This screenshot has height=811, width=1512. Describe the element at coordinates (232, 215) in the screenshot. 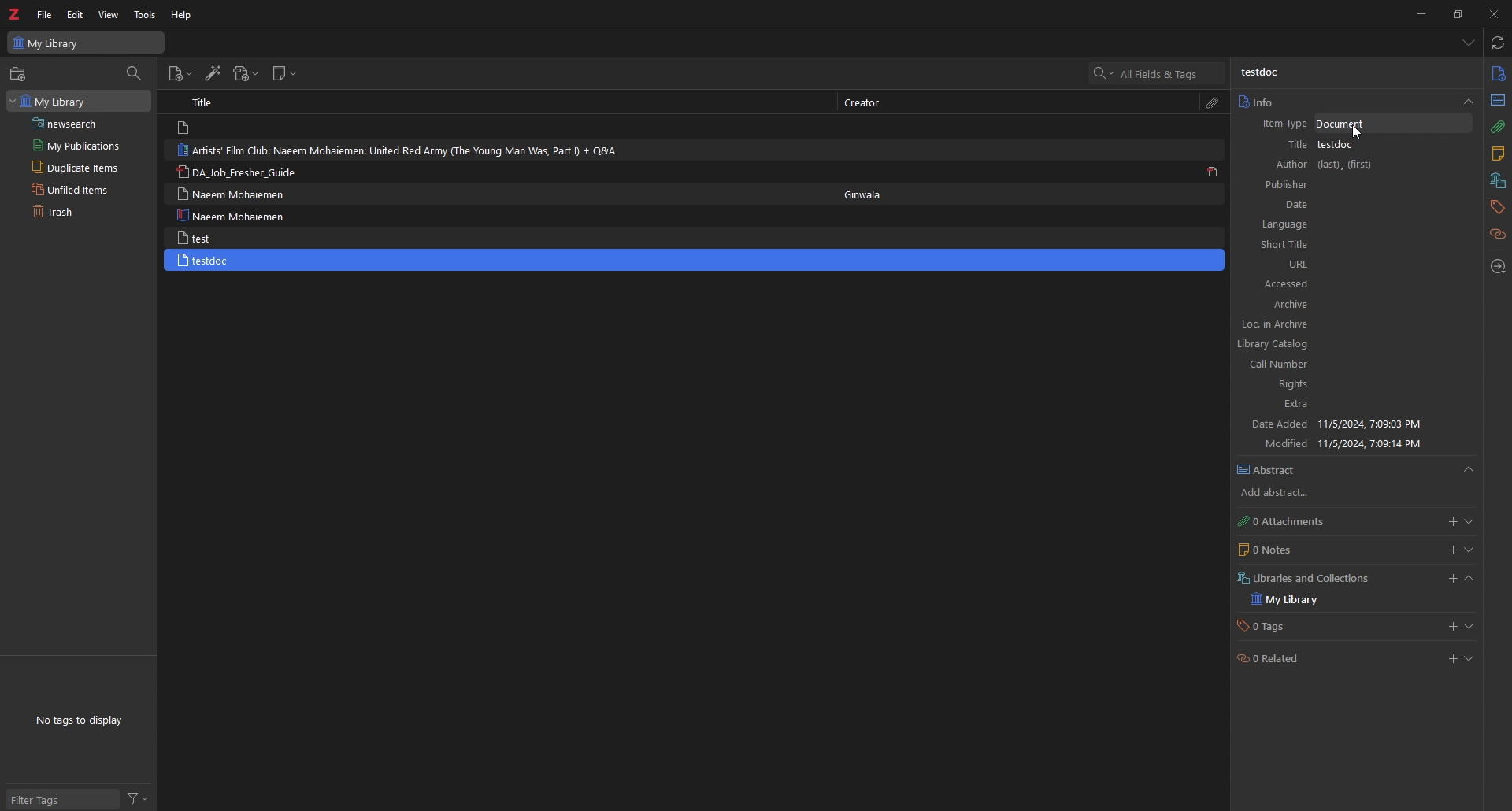

I see `Naeem Mohaiemen` at that location.